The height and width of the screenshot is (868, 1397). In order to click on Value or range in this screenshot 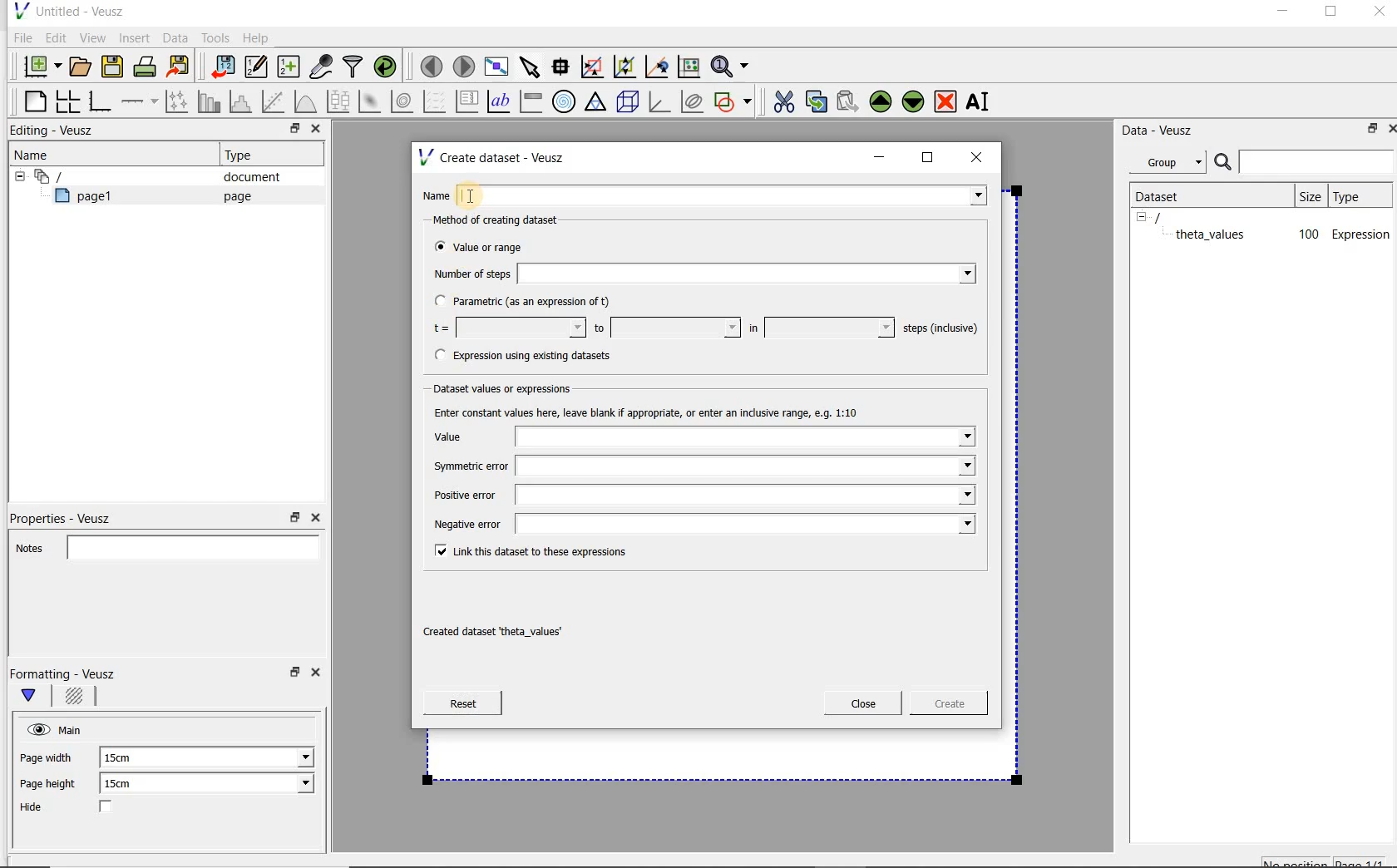, I will do `click(493, 244)`.